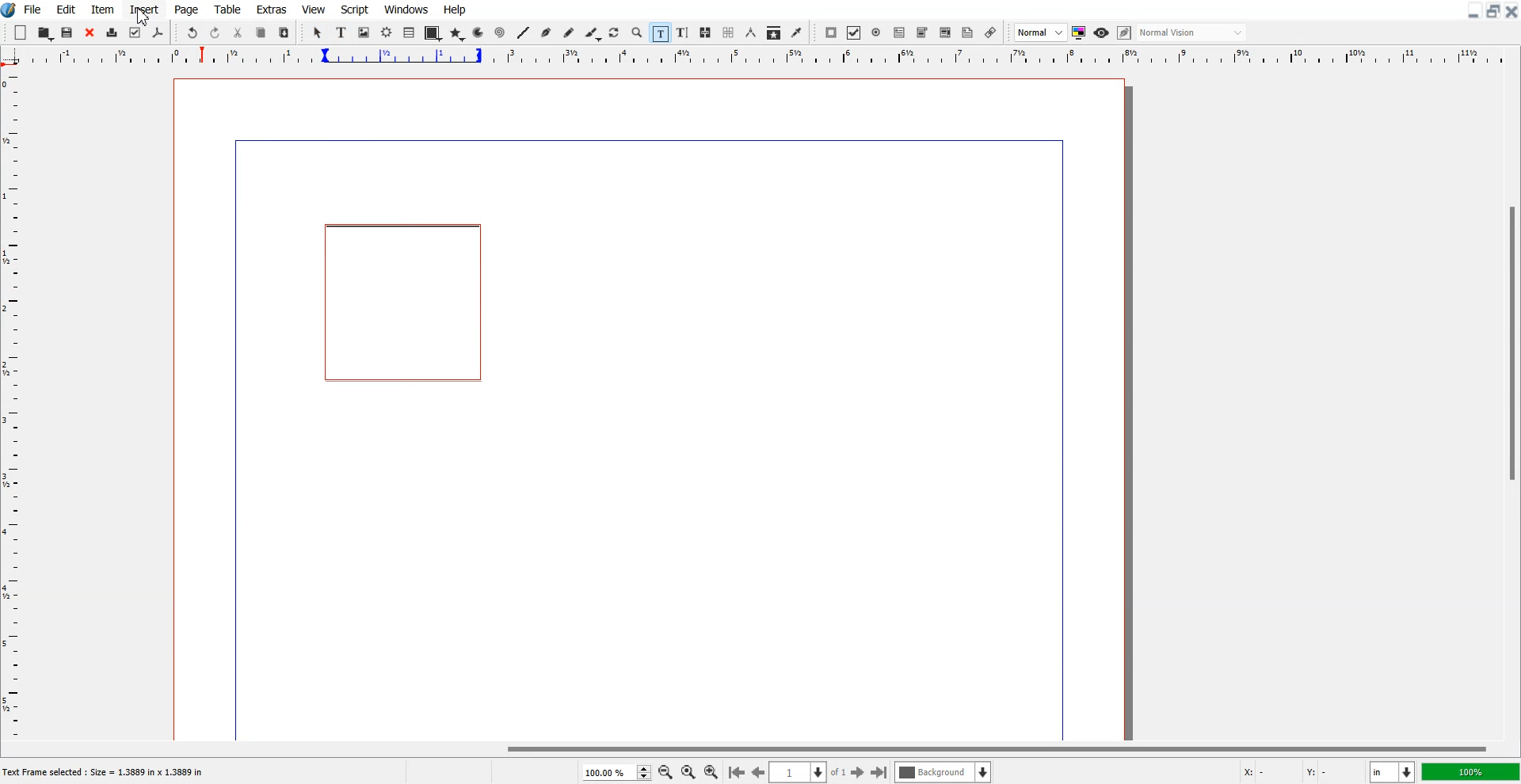 The image size is (1521, 784). What do you see at coordinates (68, 32) in the screenshot?
I see `Save` at bounding box center [68, 32].